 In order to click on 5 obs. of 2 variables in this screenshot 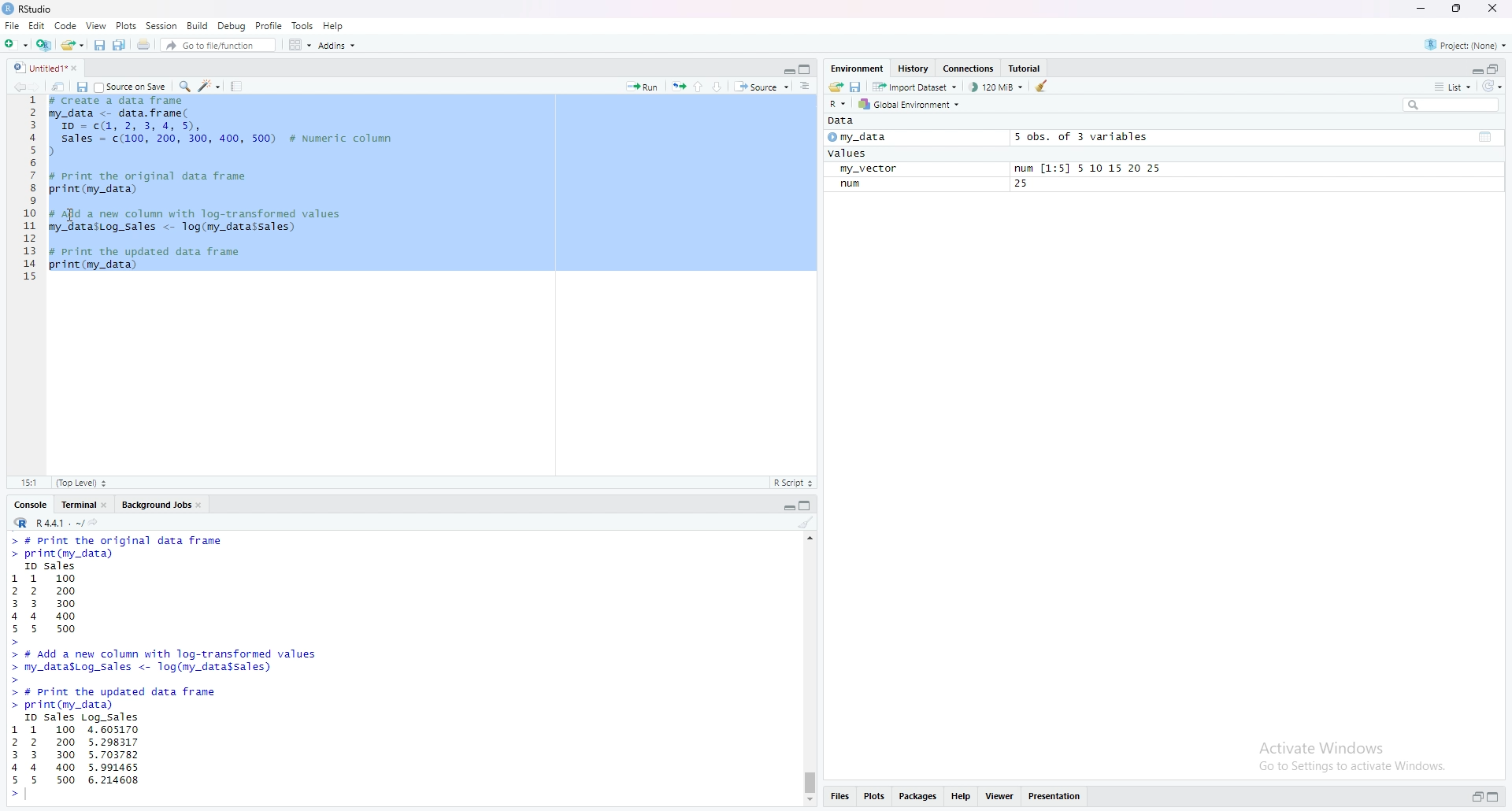, I will do `click(1085, 137)`.